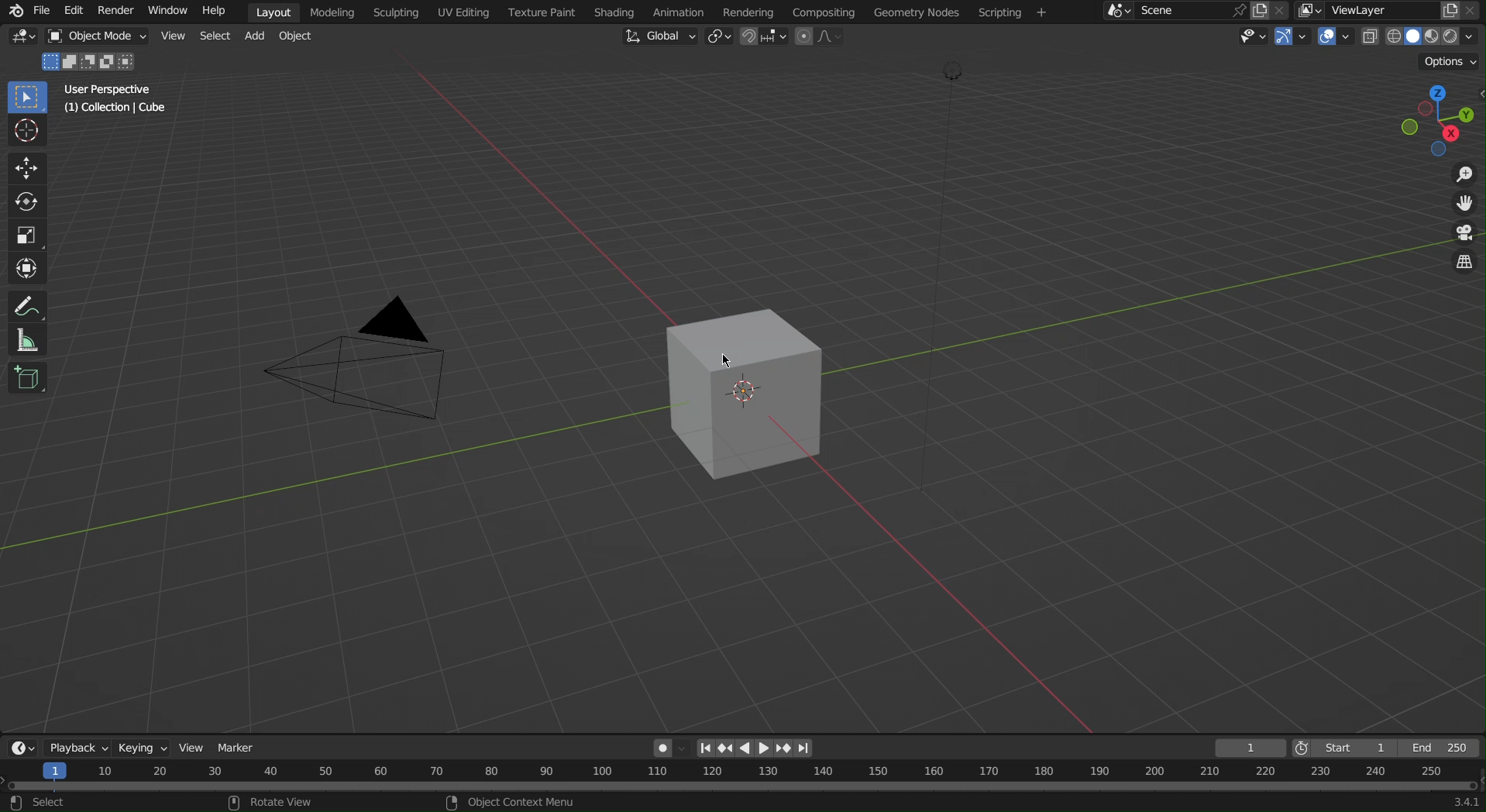 Image resolution: width=1486 pixels, height=812 pixels. I want to click on Transform, so click(25, 267).